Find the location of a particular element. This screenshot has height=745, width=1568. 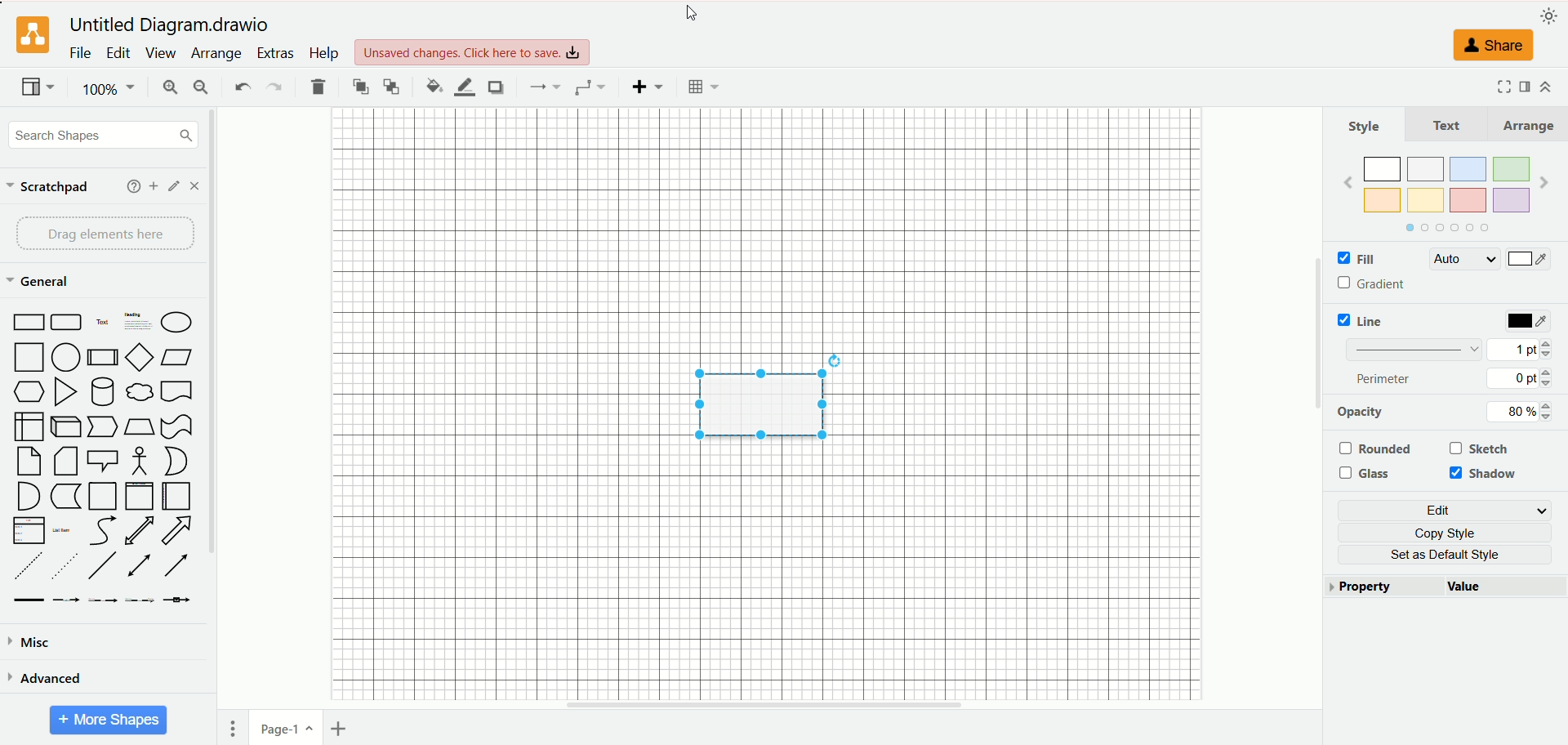

shadow is located at coordinates (495, 87).